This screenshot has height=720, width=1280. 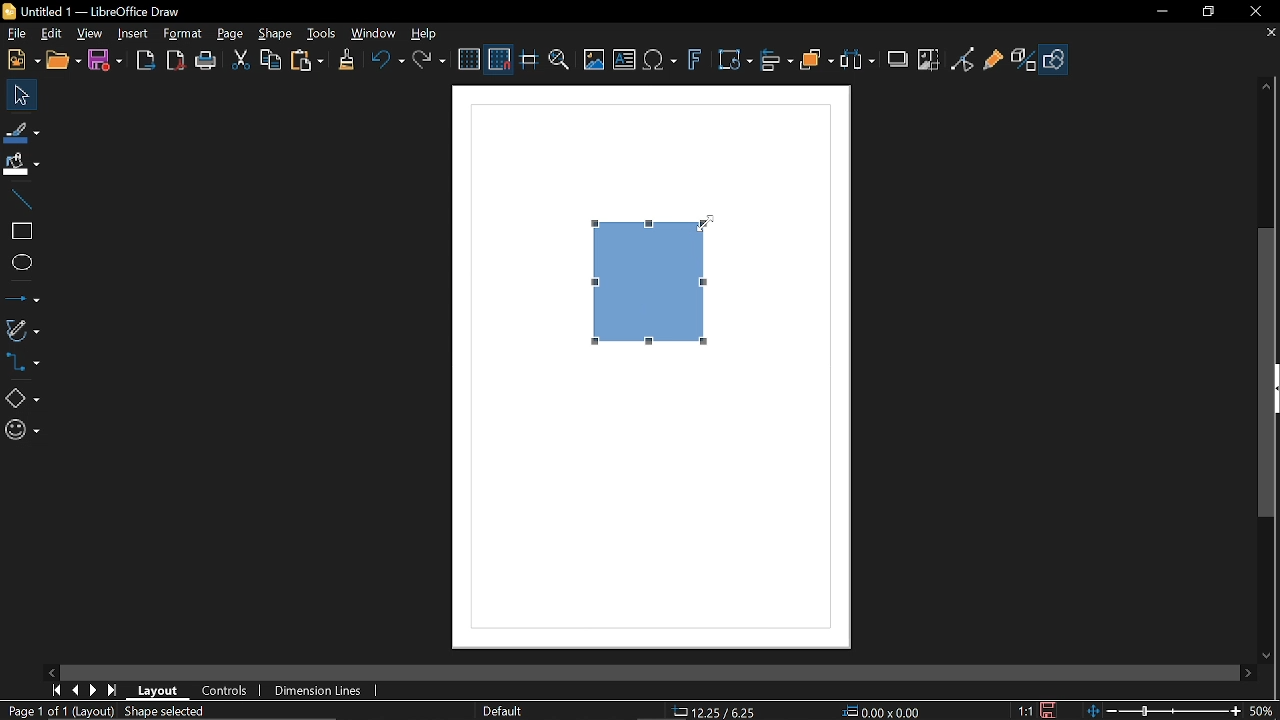 I want to click on Rectangle, so click(x=20, y=230).